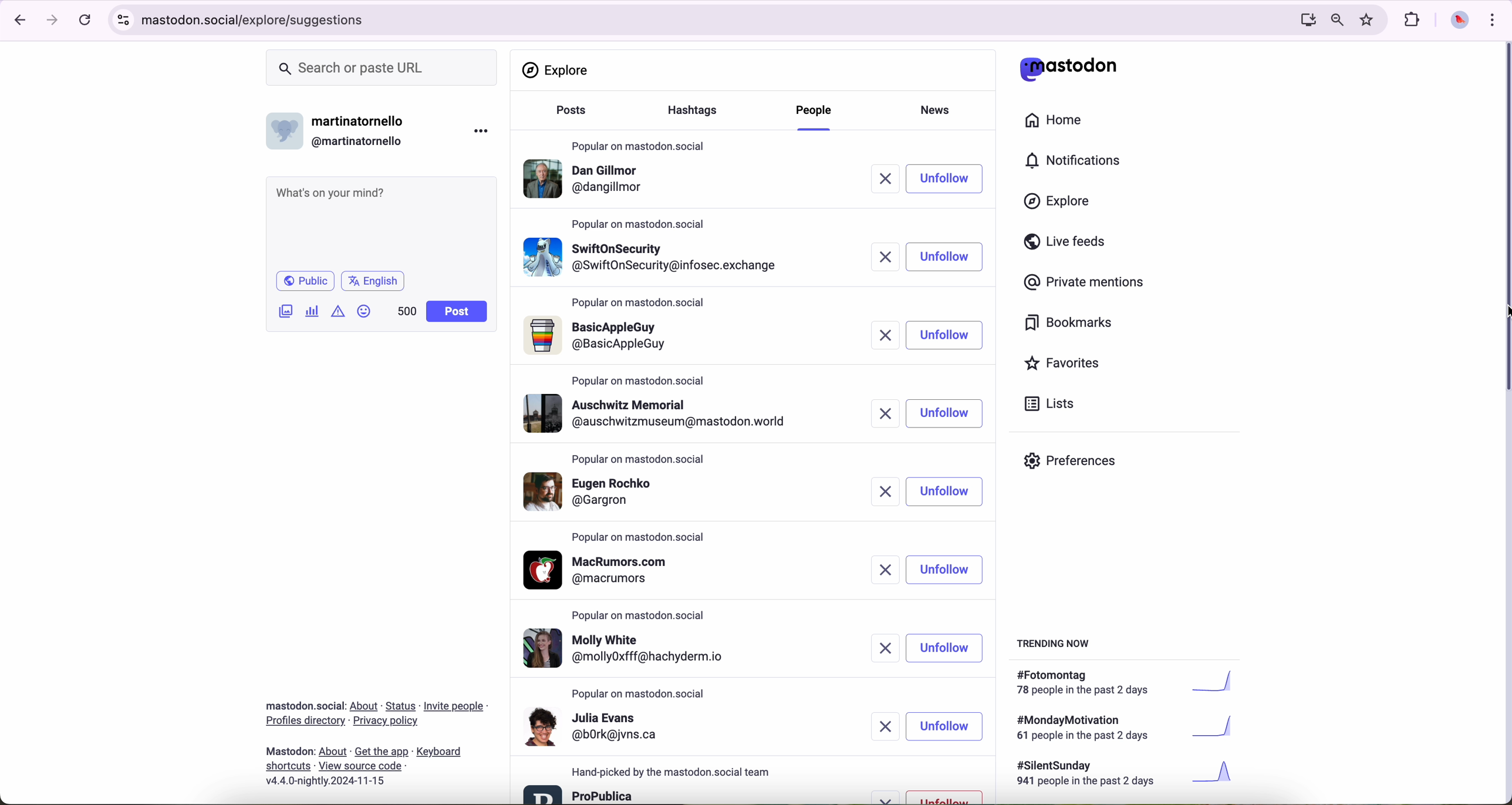 The height and width of the screenshot is (805, 1512). What do you see at coordinates (939, 109) in the screenshot?
I see `news` at bounding box center [939, 109].